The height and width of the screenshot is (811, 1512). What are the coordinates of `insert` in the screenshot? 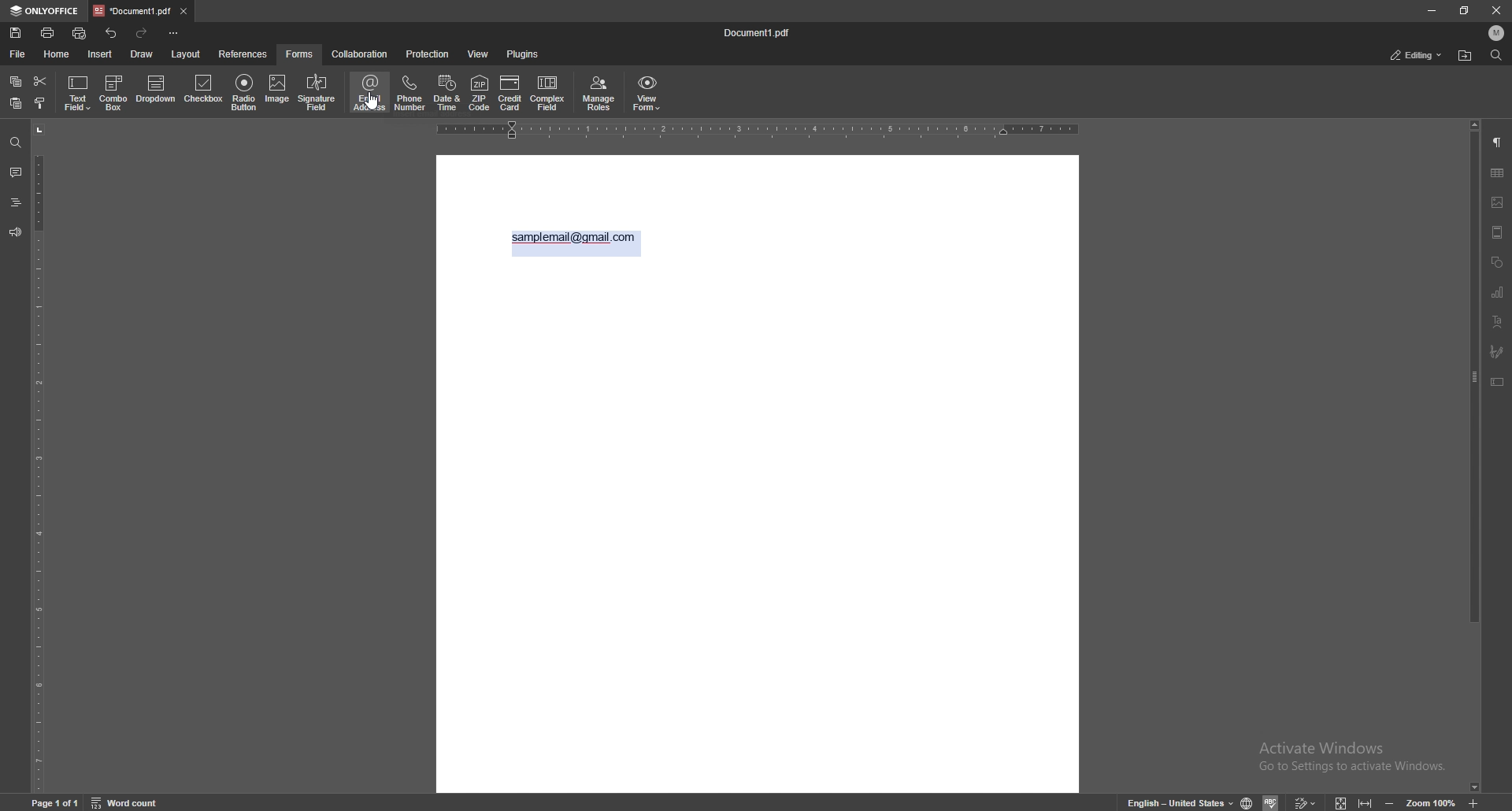 It's located at (99, 54).